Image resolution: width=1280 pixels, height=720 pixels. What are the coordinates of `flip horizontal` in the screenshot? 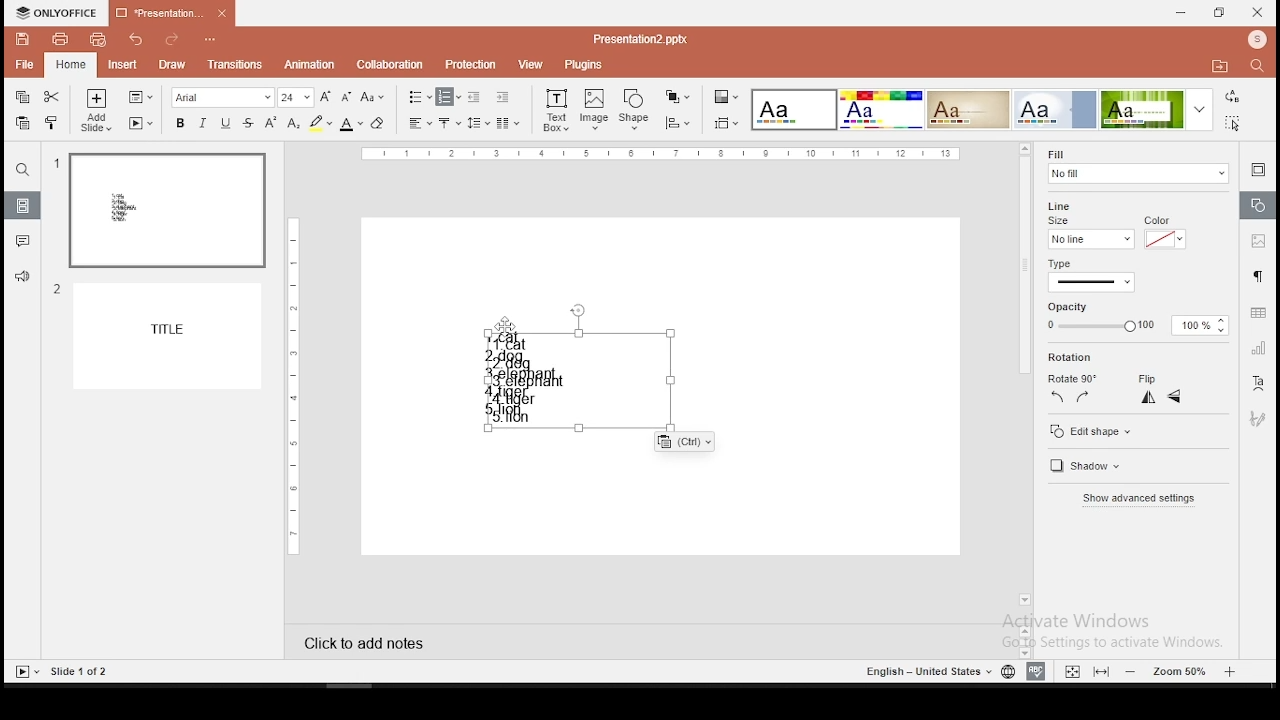 It's located at (1175, 397).